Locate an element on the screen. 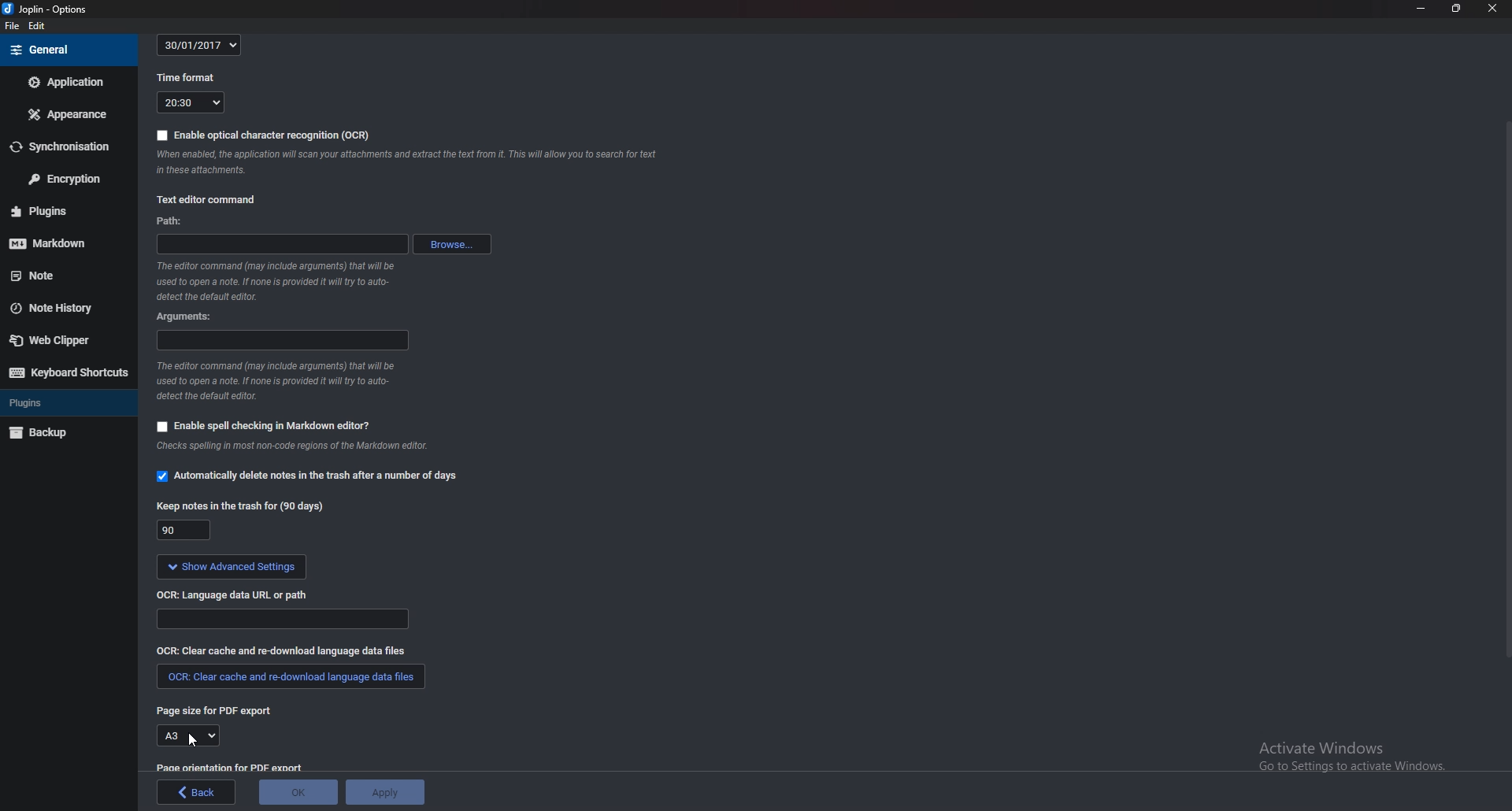 The width and height of the screenshot is (1512, 811). activate windows is located at coordinates (1354, 751).